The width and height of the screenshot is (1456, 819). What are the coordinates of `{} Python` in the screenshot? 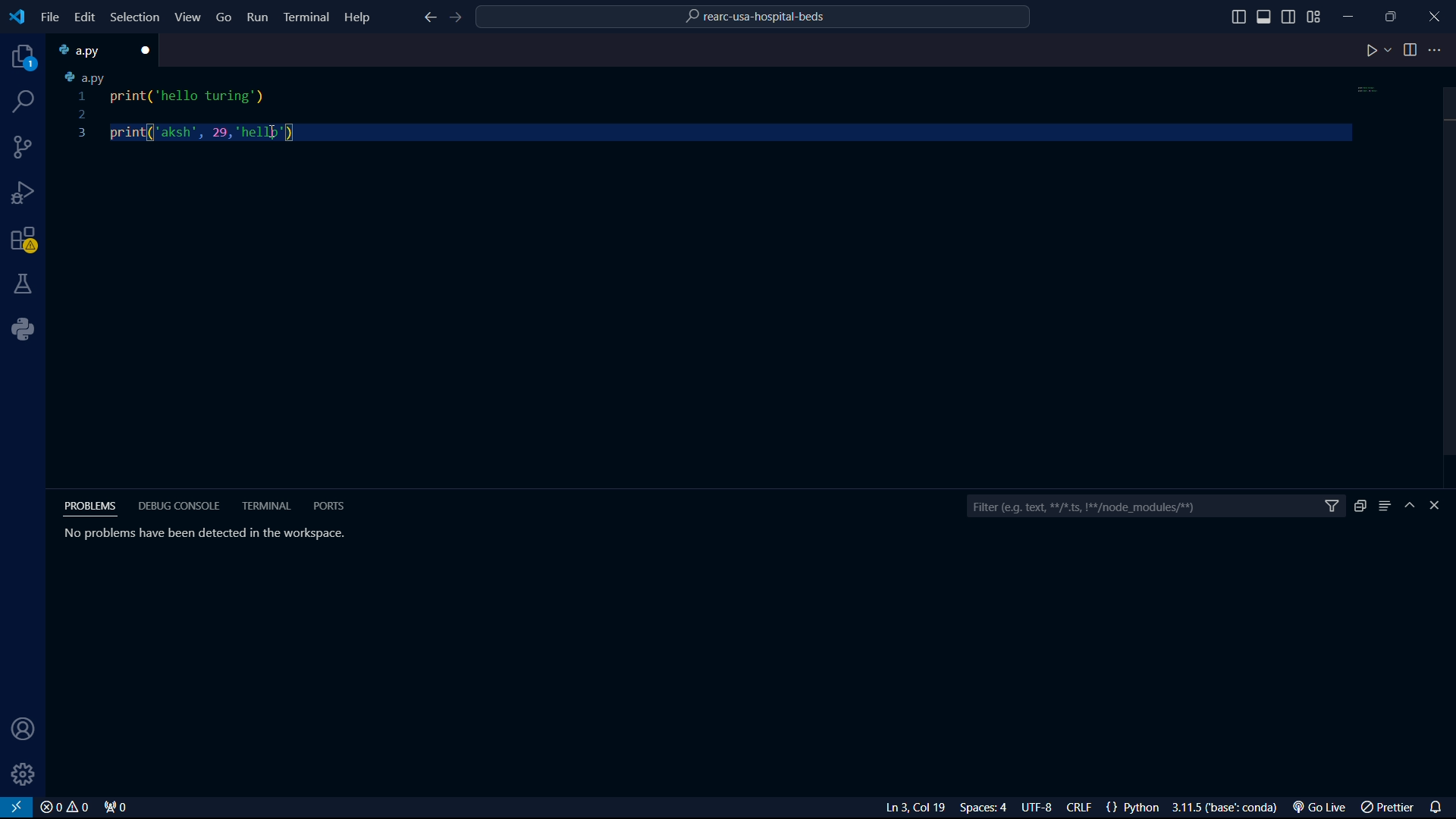 It's located at (1135, 808).